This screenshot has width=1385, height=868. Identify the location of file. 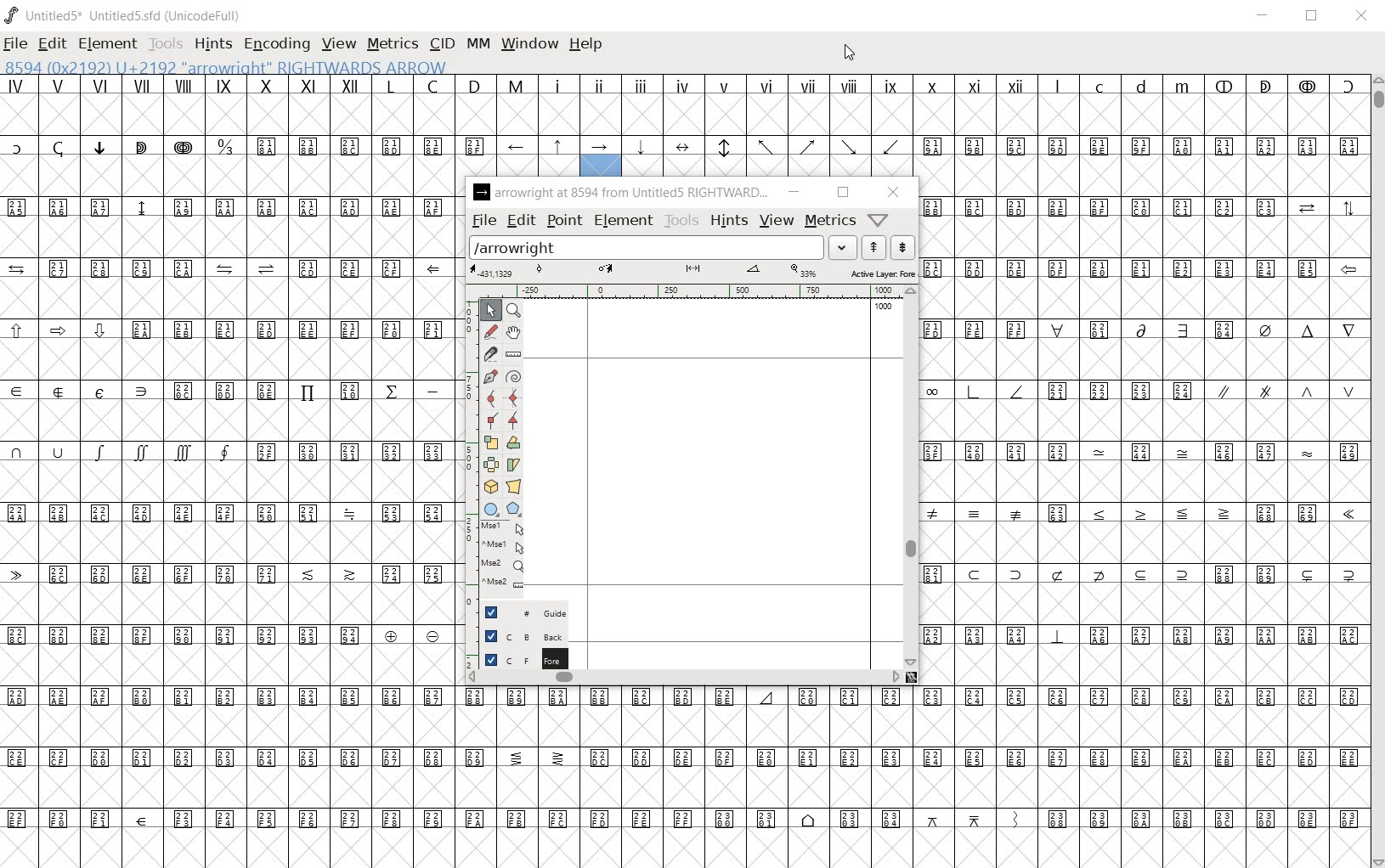
(483, 221).